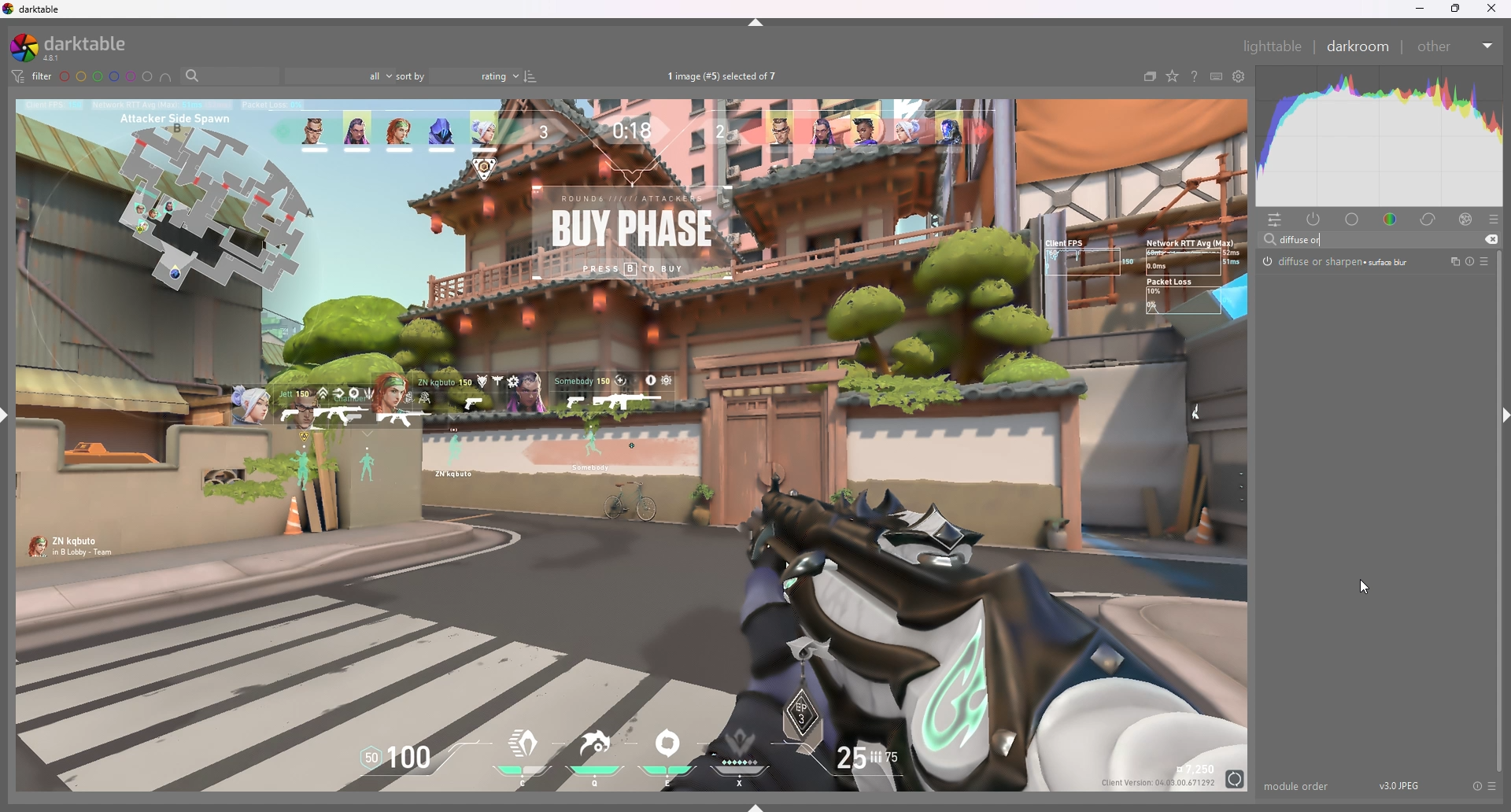 This screenshot has height=812, width=1511. What do you see at coordinates (1380, 136) in the screenshot?
I see `heat graph` at bounding box center [1380, 136].